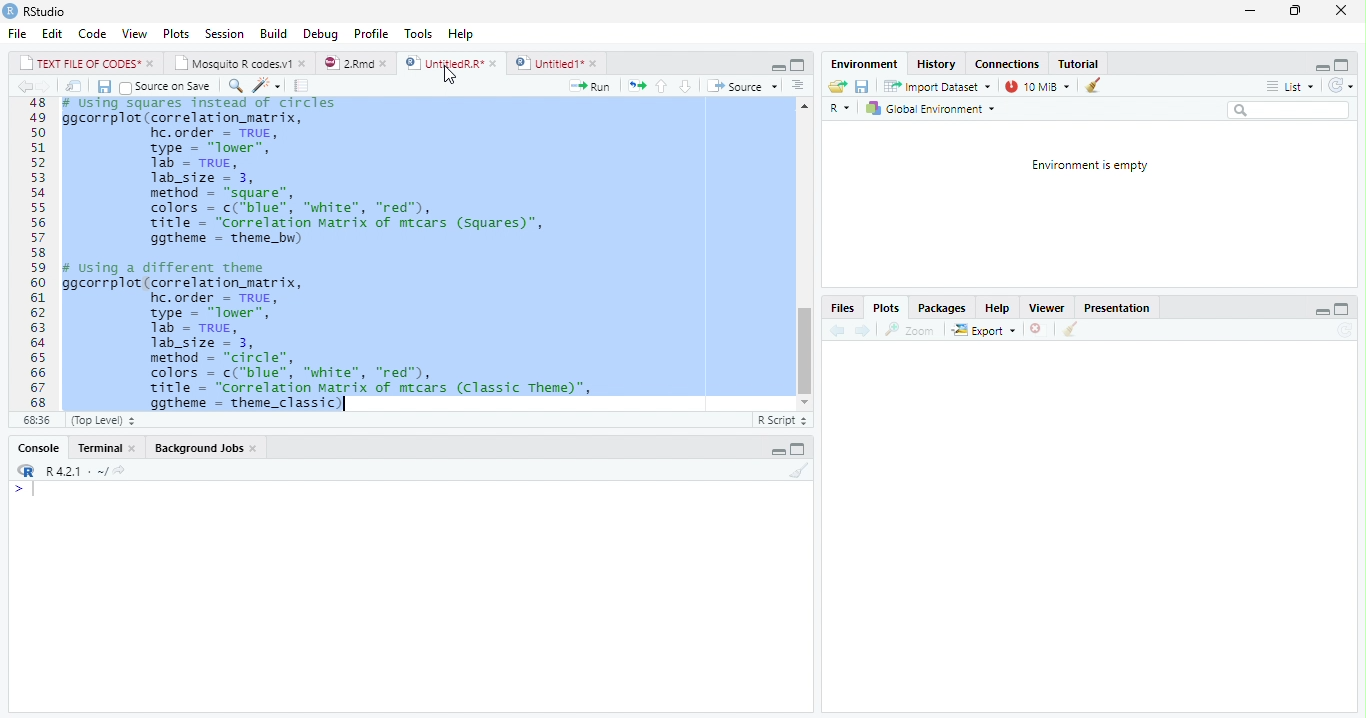 This screenshot has width=1366, height=718. What do you see at coordinates (683, 86) in the screenshot?
I see `go to next section/chunk` at bounding box center [683, 86].